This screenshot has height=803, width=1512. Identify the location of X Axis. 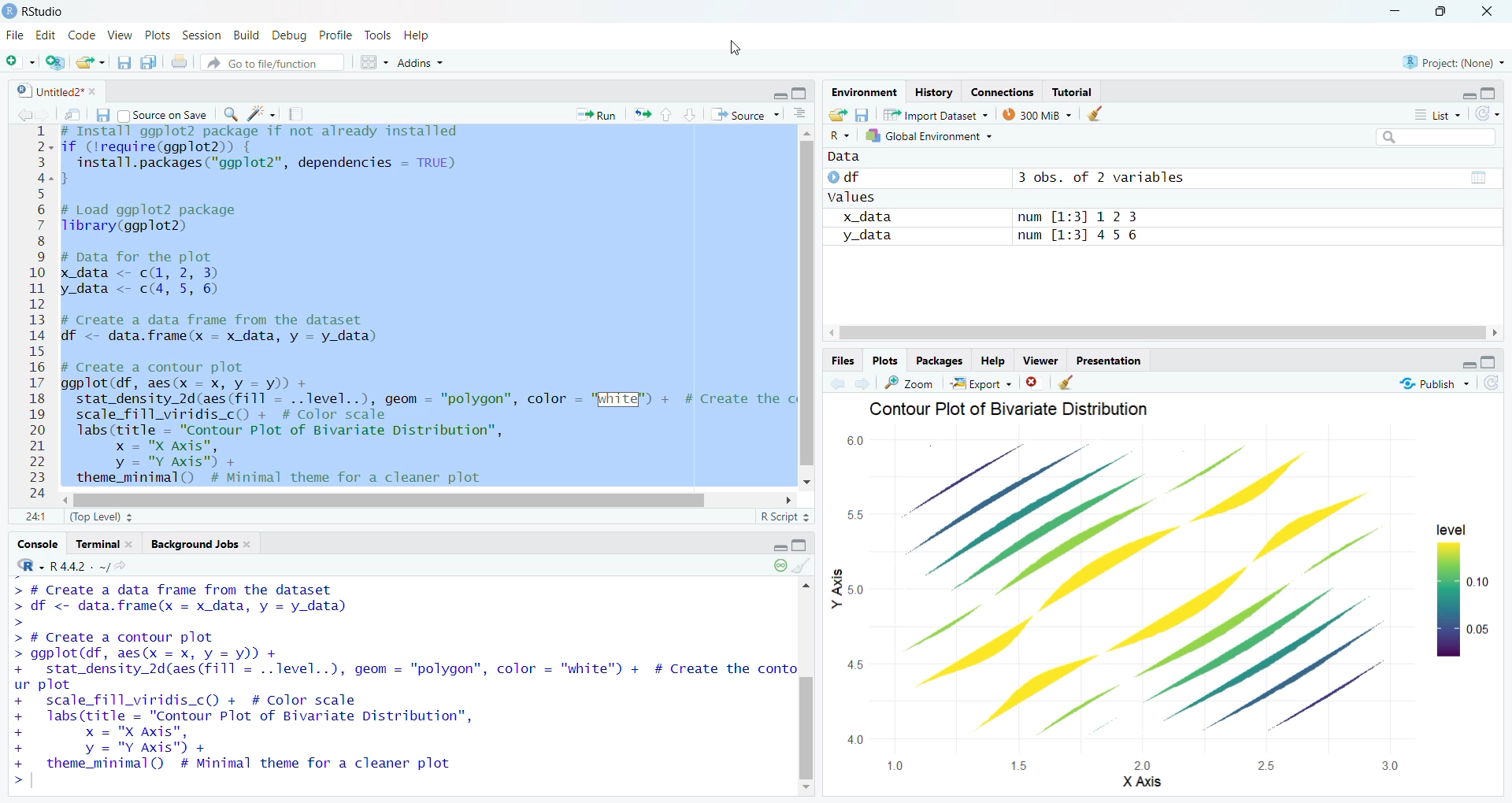
(1141, 787).